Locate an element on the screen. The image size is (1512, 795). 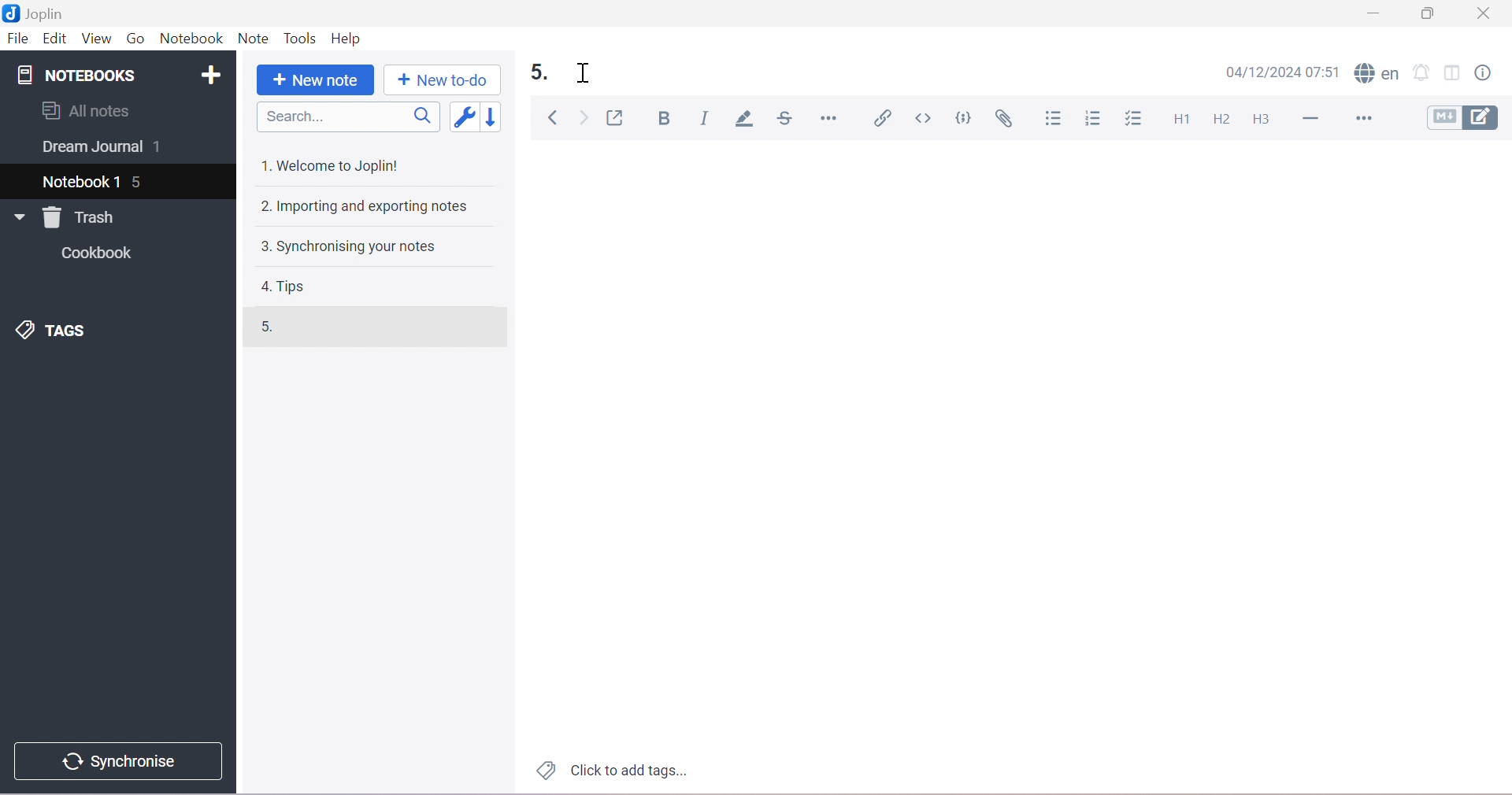
Heading 3 is located at coordinates (1262, 118).